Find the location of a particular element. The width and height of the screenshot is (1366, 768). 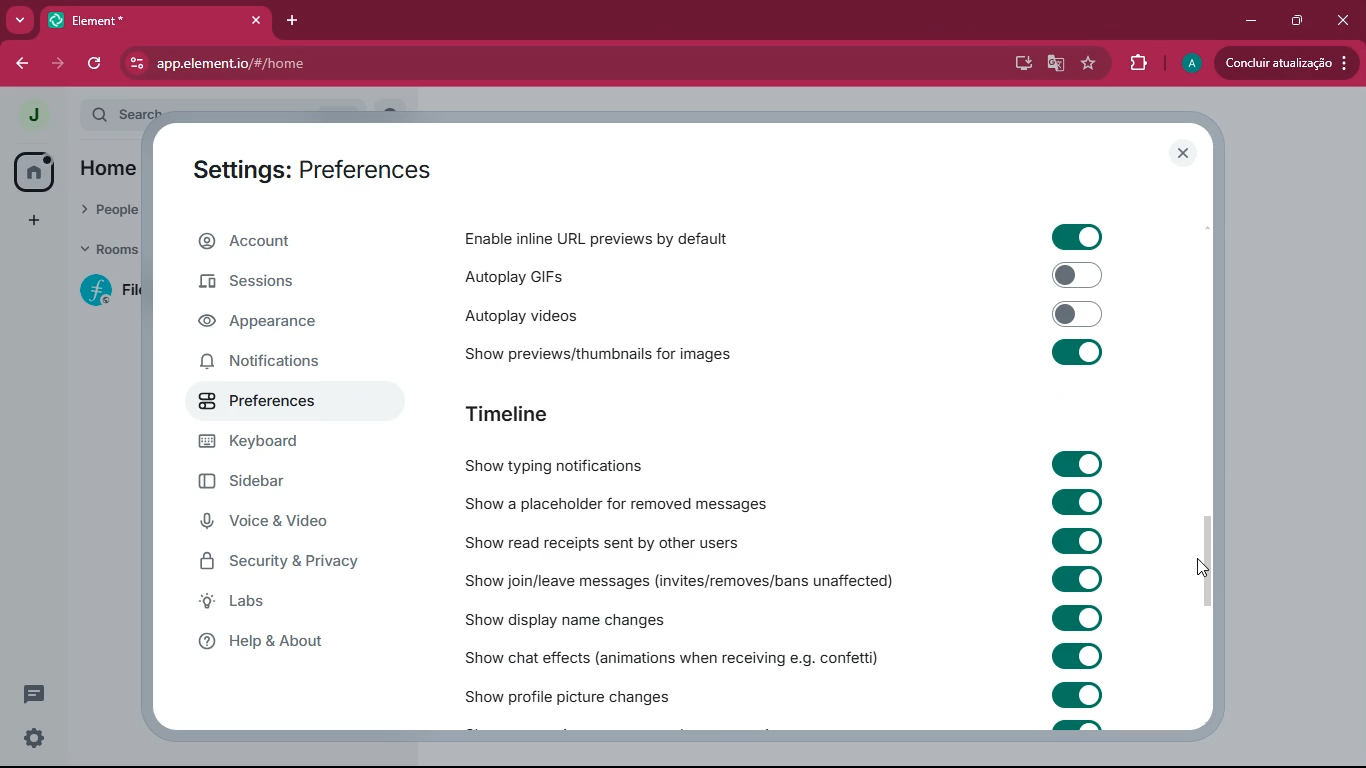

show a placeholder for removed messages is located at coordinates (616, 505).